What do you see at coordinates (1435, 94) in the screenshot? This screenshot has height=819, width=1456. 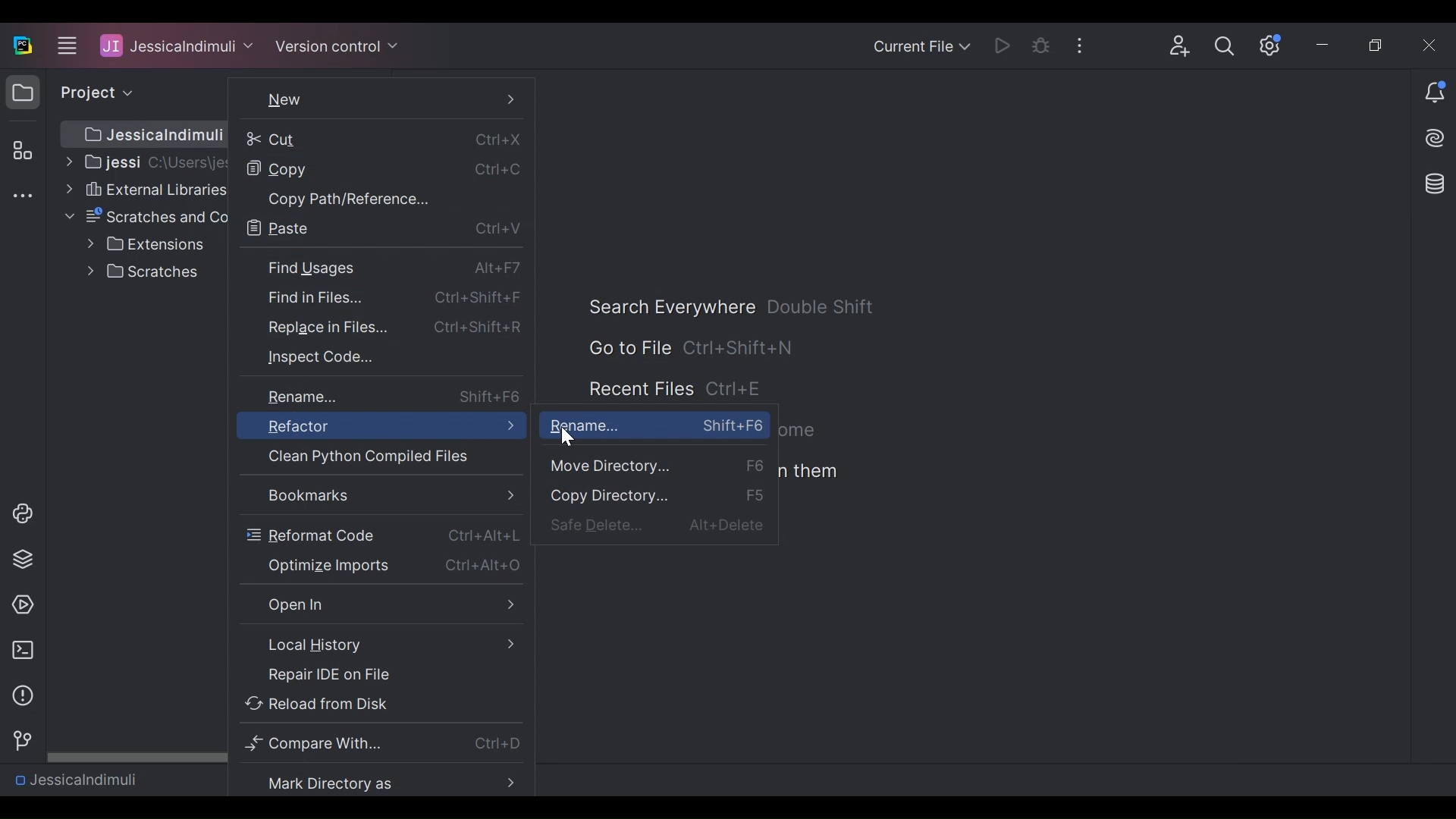 I see `Notification` at bounding box center [1435, 94].